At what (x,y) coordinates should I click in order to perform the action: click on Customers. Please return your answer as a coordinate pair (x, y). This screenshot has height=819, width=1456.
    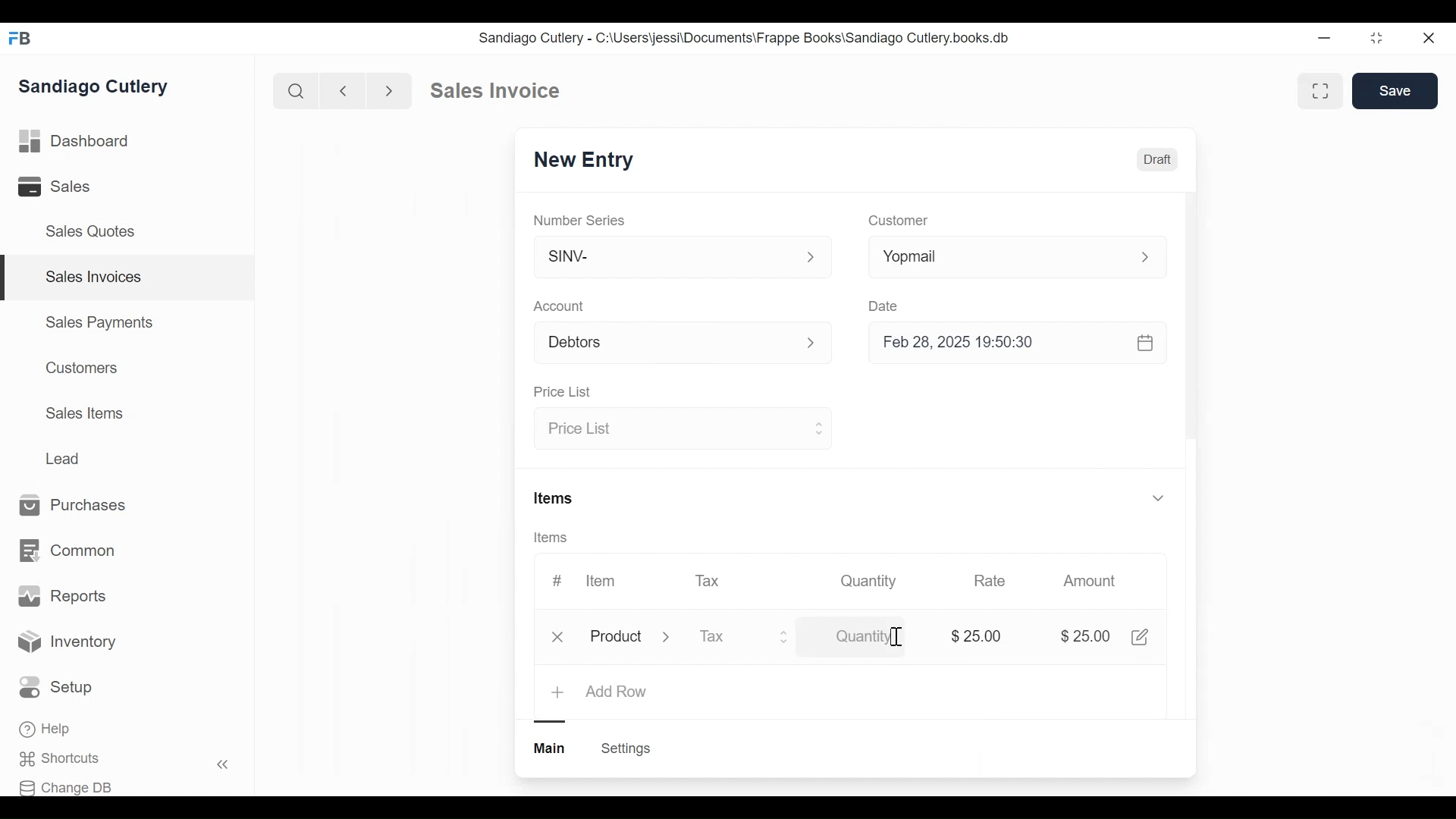
    Looking at the image, I should click on (78, 368).